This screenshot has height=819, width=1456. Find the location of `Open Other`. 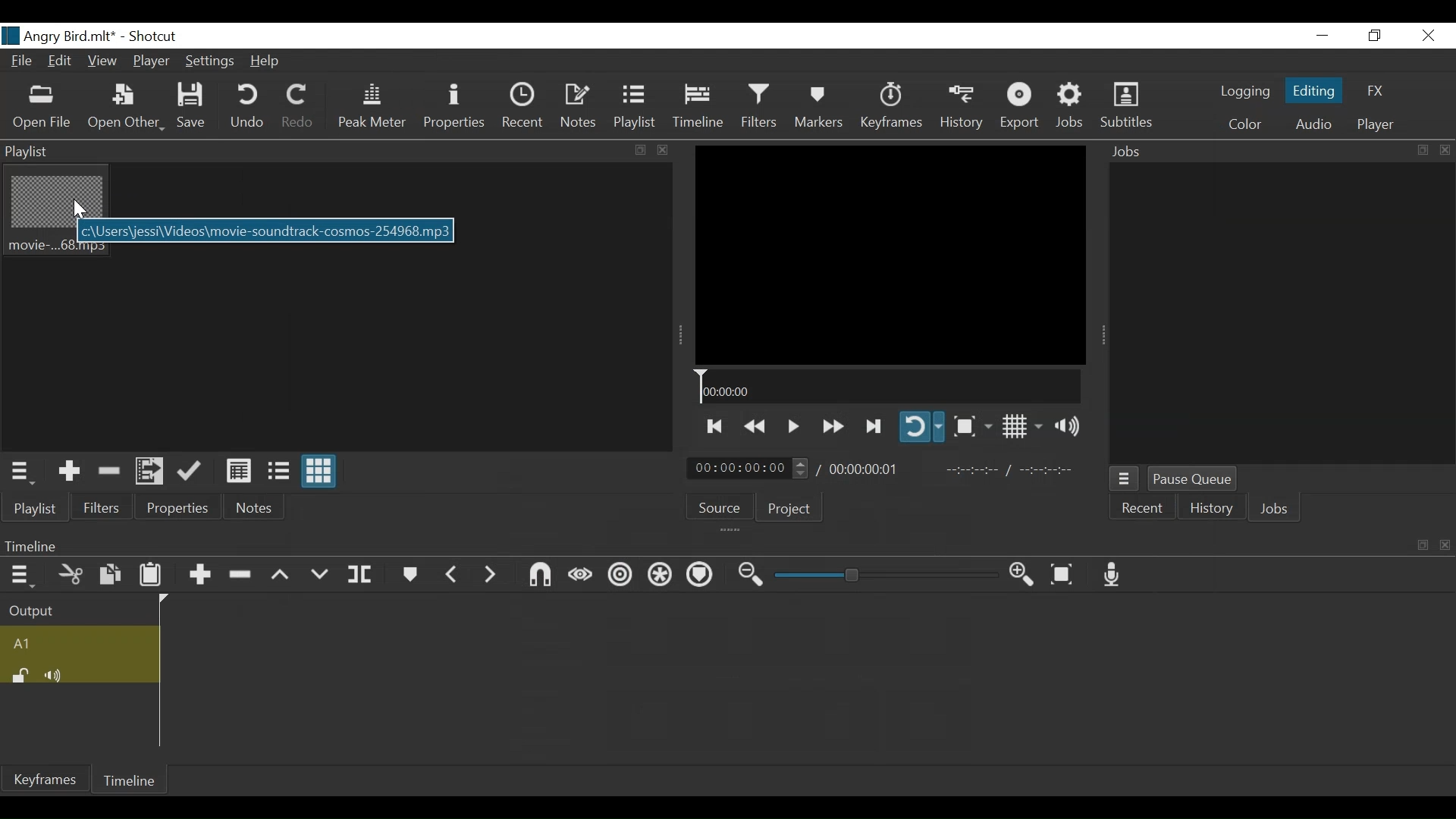

Open Other is located at coordinates (125, 108).